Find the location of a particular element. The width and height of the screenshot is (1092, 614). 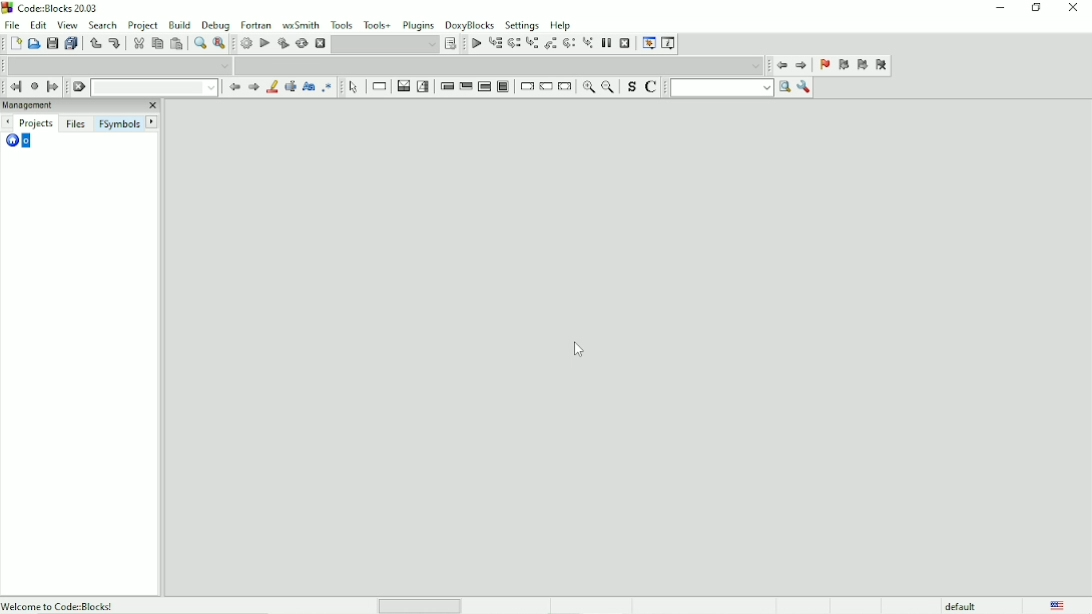

default is located at coordinates (962, 605).